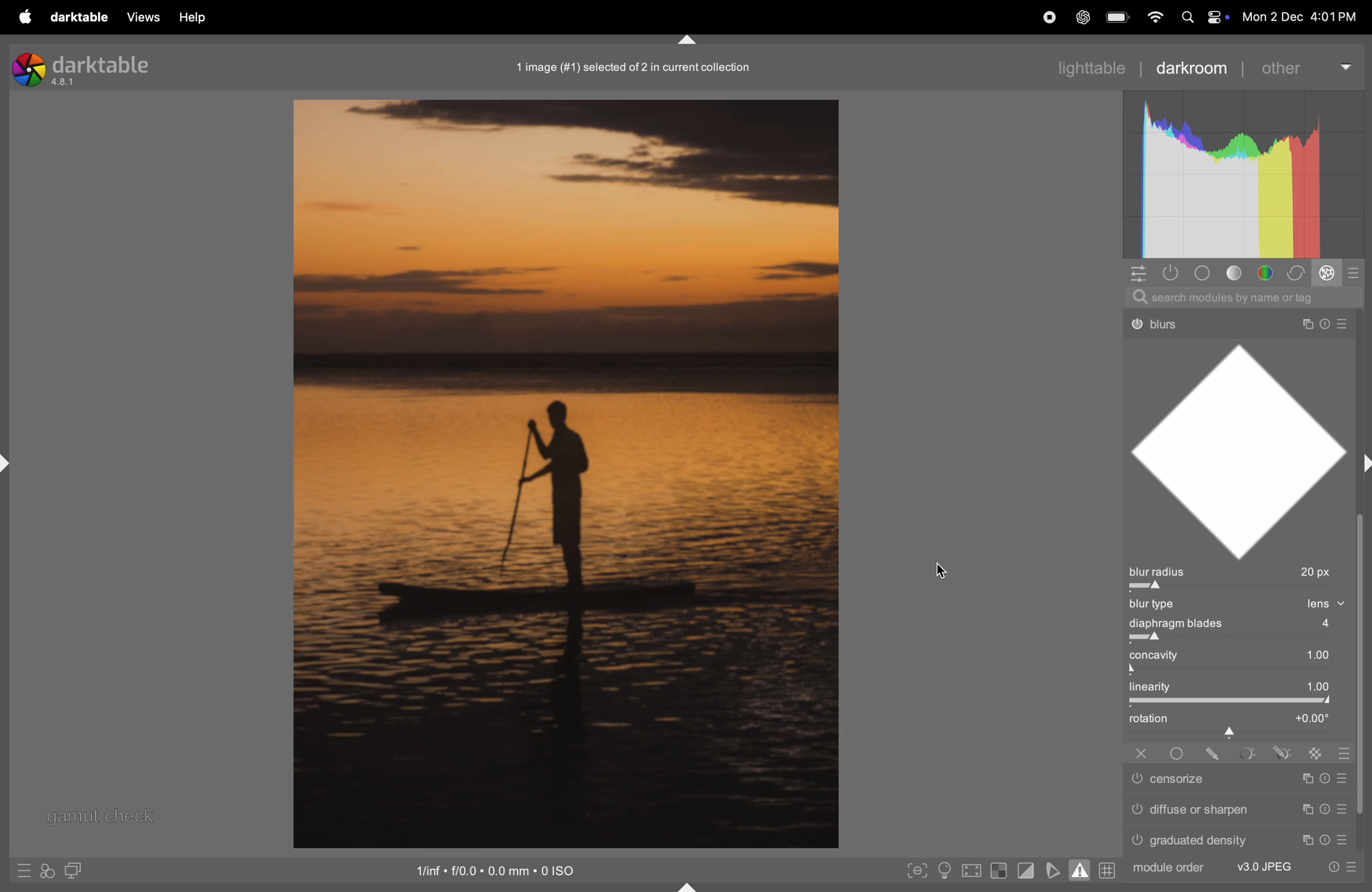 Image resolution: width=1372 pixels, height=892 pixels. I want to click on apple widgets, so click(1201, 17).